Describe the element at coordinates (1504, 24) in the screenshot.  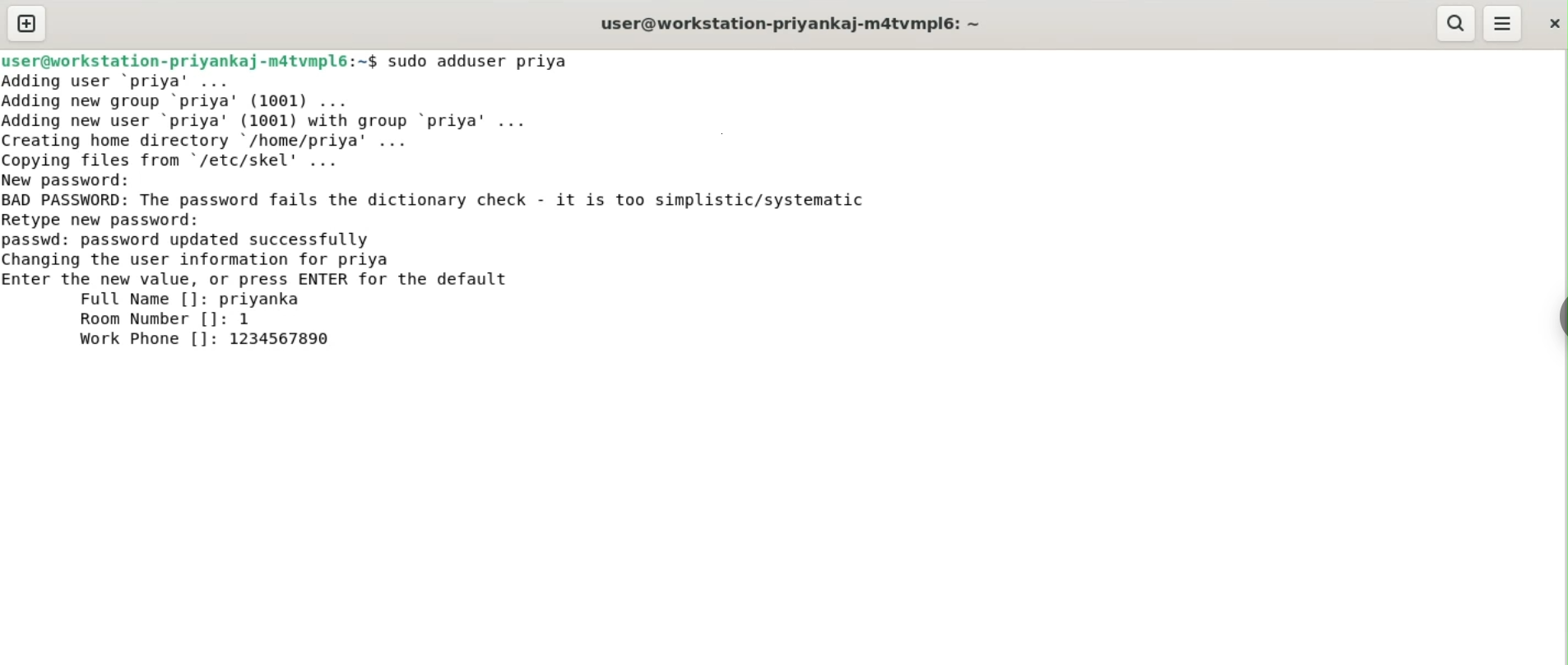
I see `menu` at that location.